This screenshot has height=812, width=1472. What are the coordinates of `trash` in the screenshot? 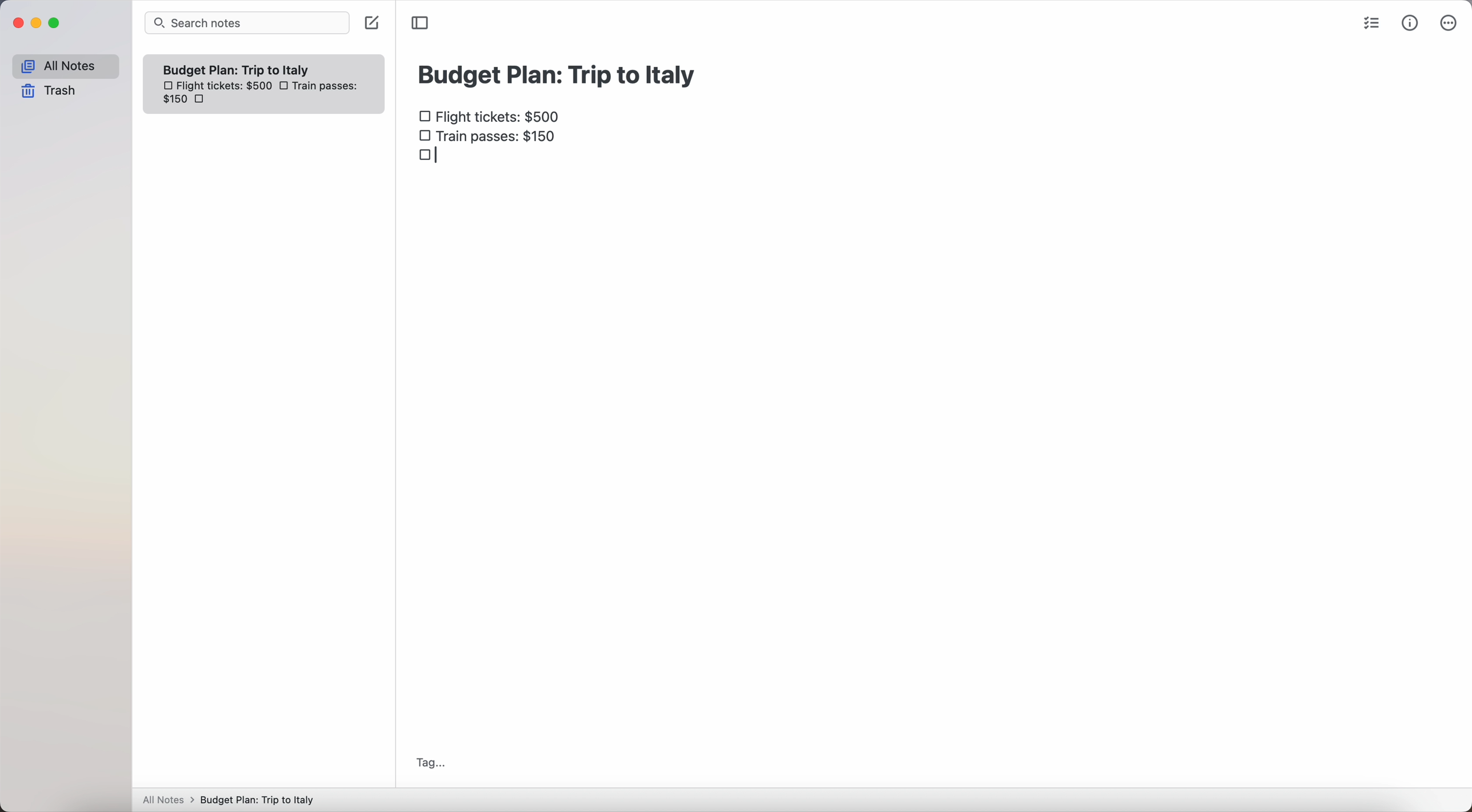 It's located at (49, 91).